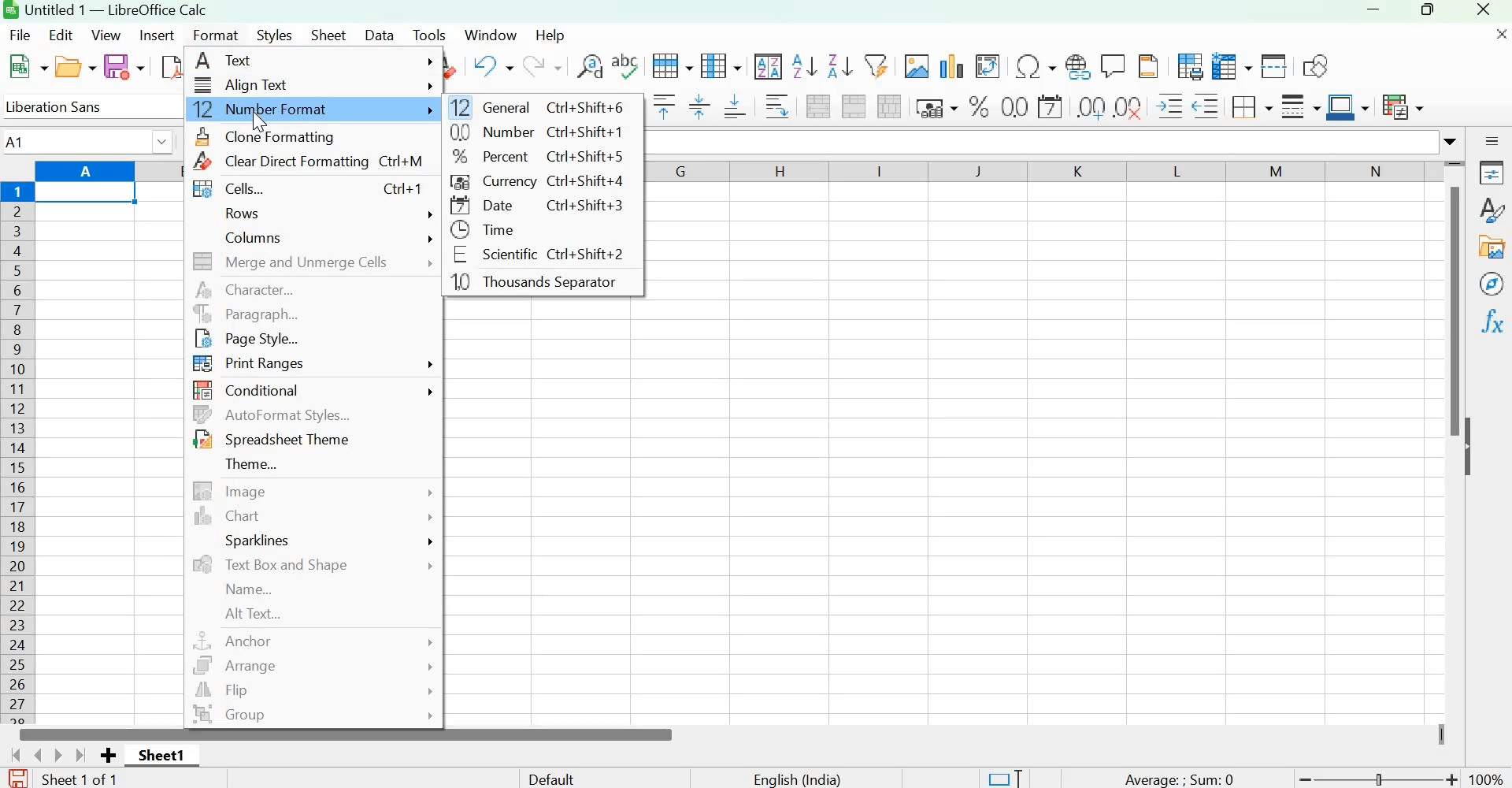  I want to click on Format as percent, so click(979, 106).